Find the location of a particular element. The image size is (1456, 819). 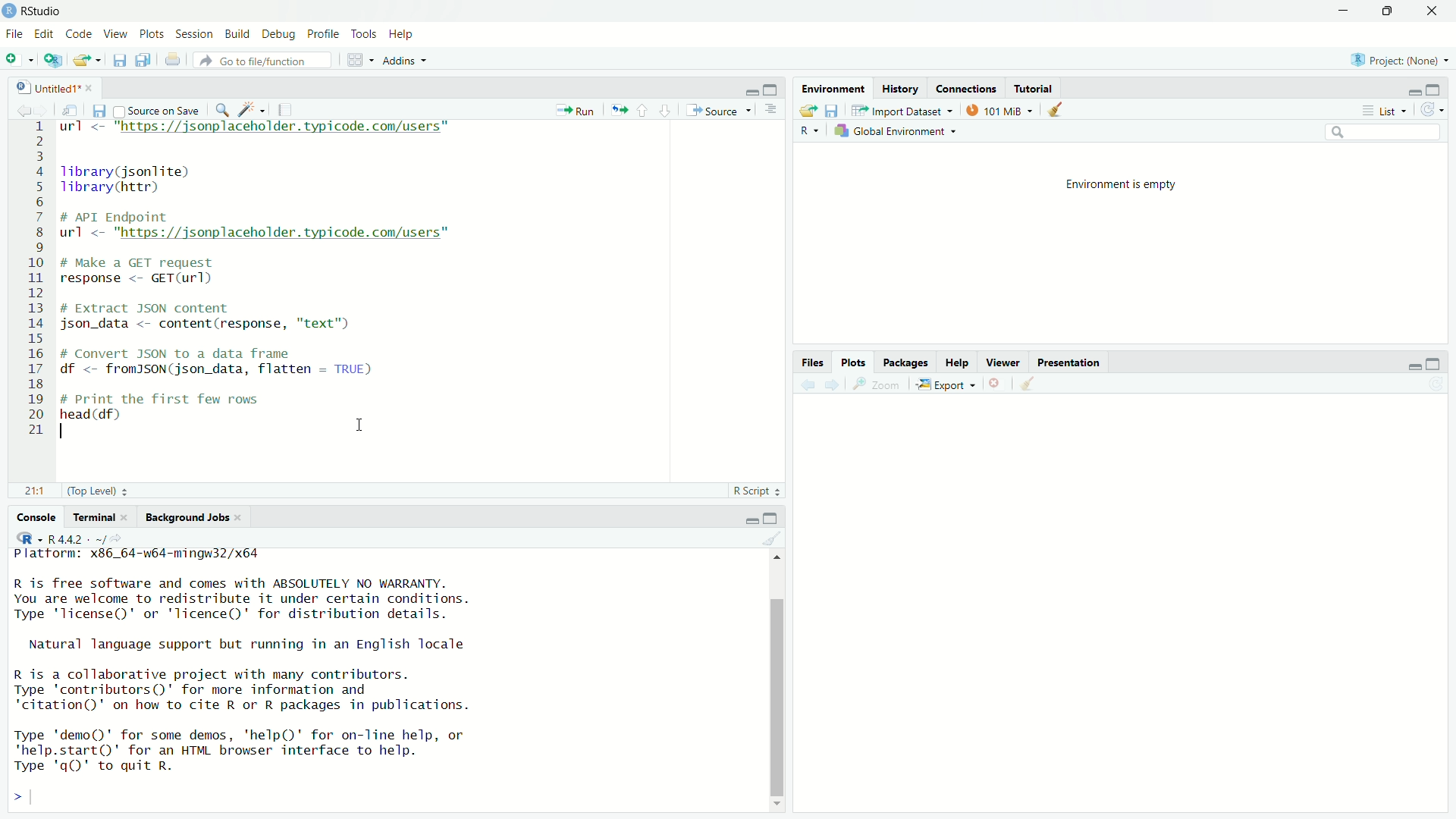

History is located at coordinates (901, 89).